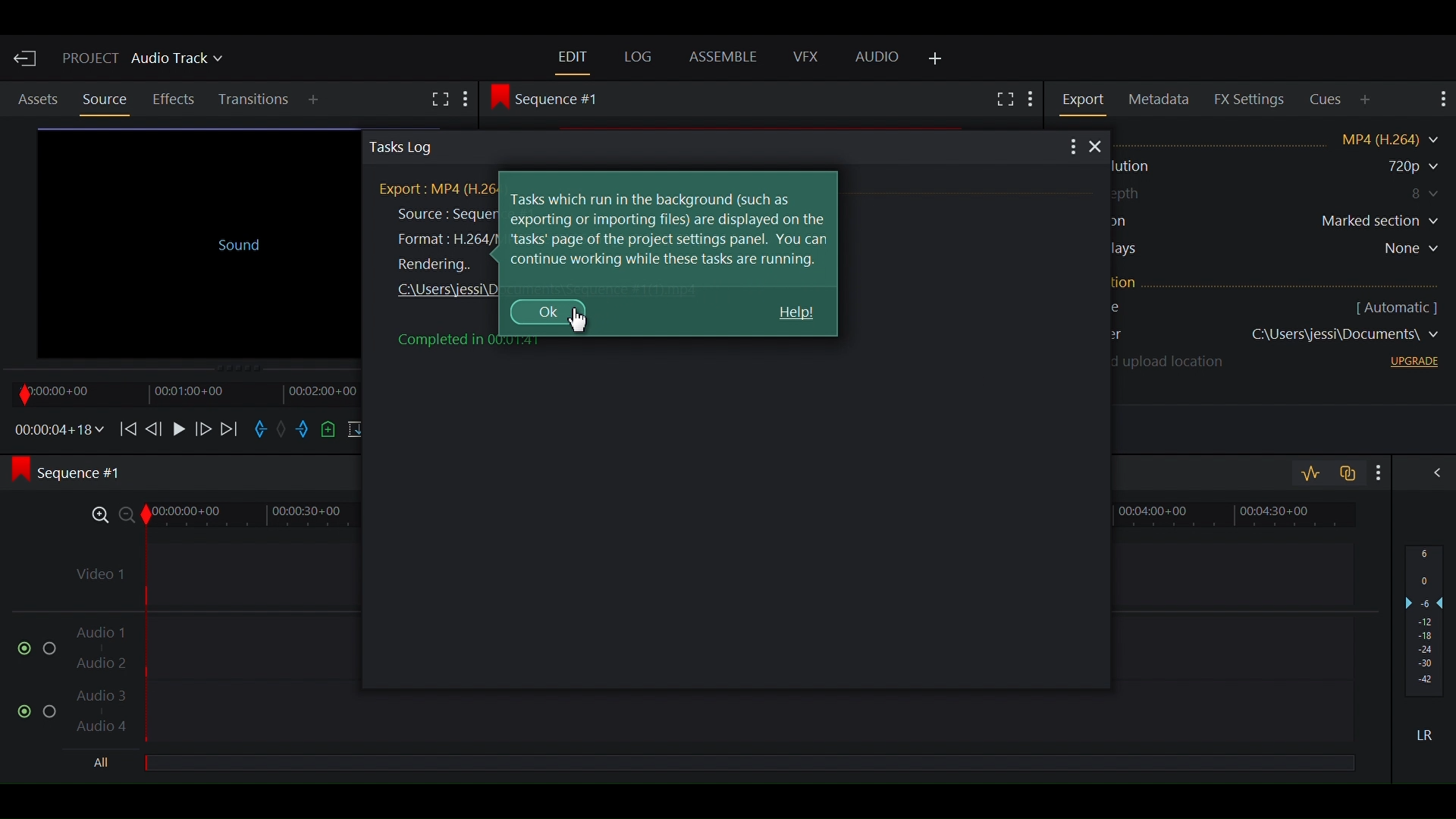 The image size is (1456, 819). What do you see at coordinates (1425, 623) in the screenshot?
I see `Audio output levels dB` at bounding box center [1425, 623].